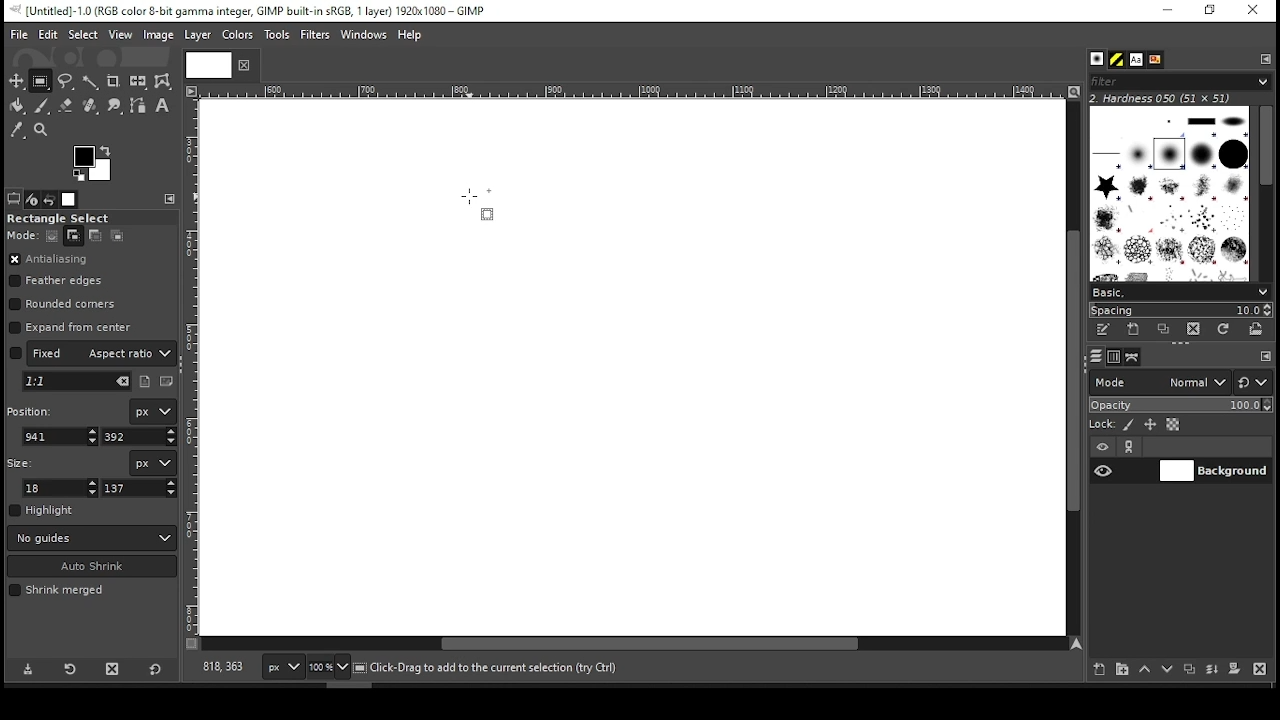 This screenshot has height=720, width=1280. Describe the element at coordinates (92, 538) in the screenshot. I see `guides` at that location.